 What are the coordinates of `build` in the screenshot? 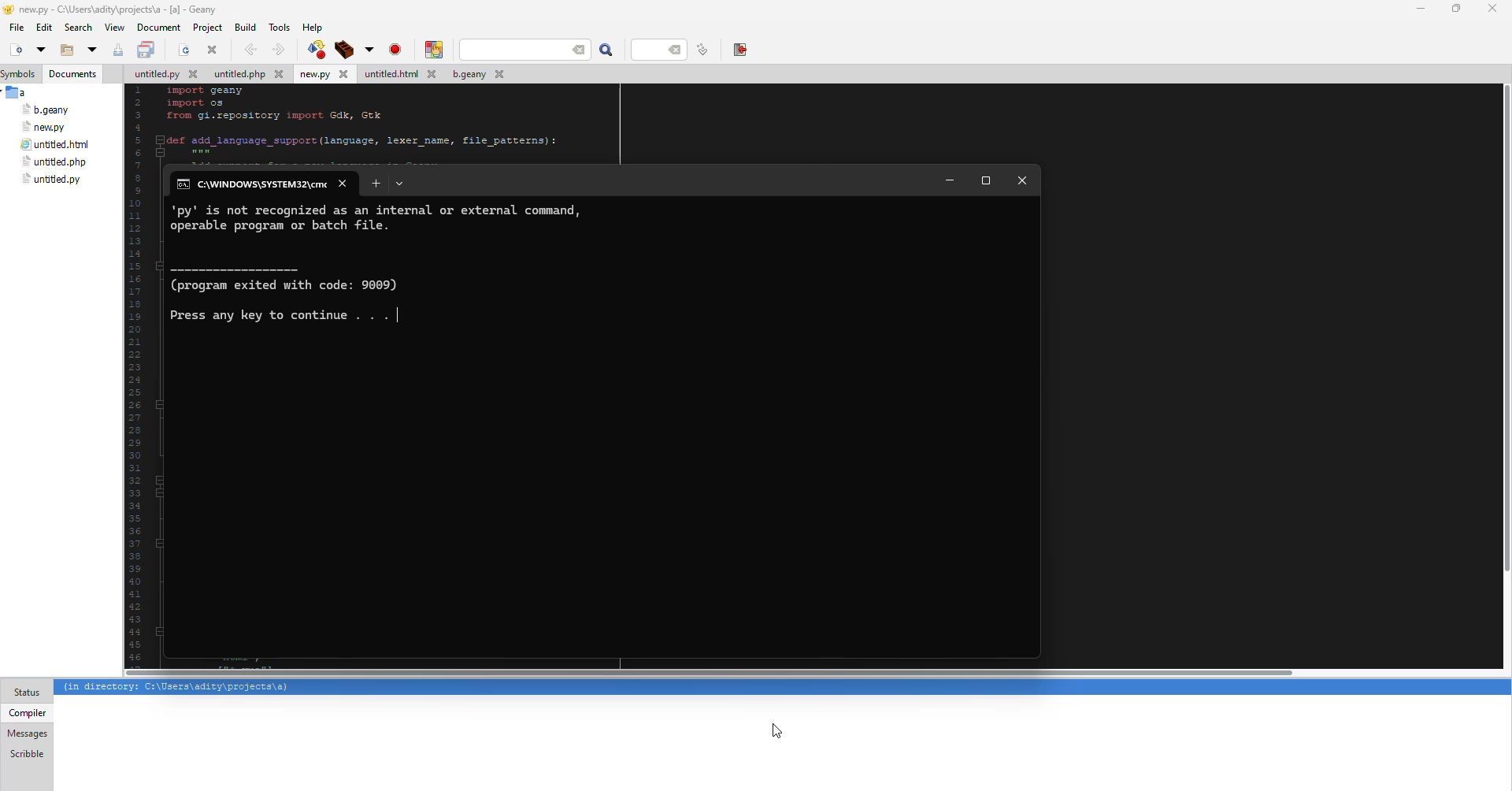 It's located at (316, 50).